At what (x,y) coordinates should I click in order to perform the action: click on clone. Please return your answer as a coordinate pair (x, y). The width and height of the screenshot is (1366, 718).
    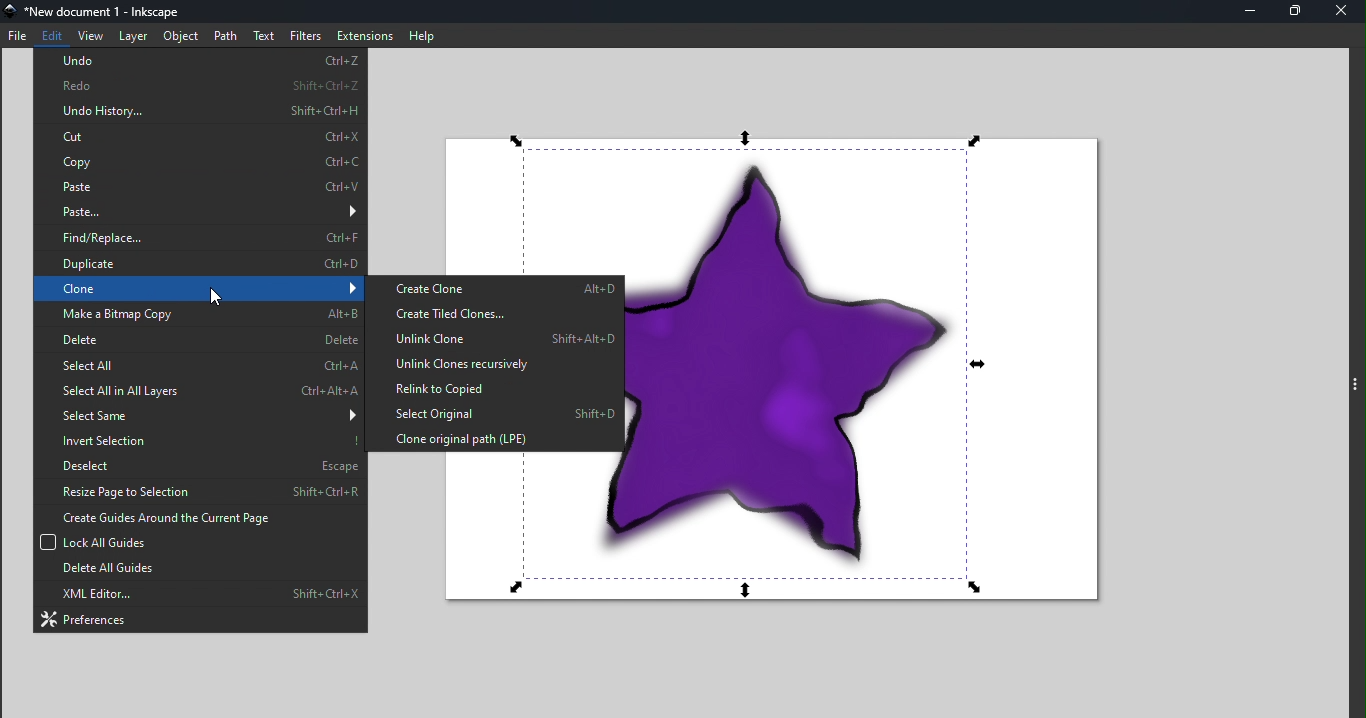
    Looking at the image, I should click on (198, 289).